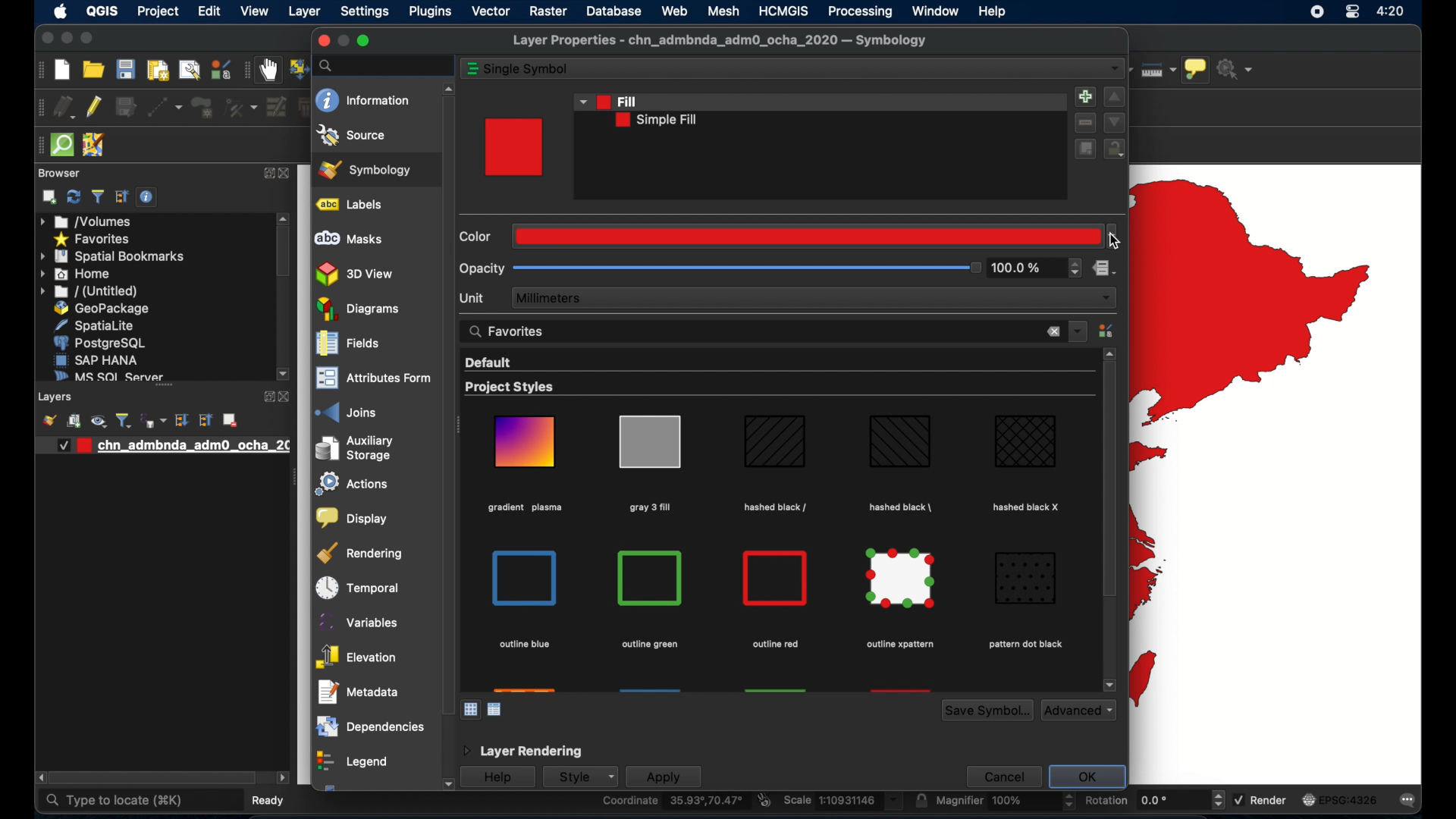 The width and height of the screenshot is (1456, 819). Describe the element at coordinates (164, 389) in the screenshot. I see `layers` at that location.